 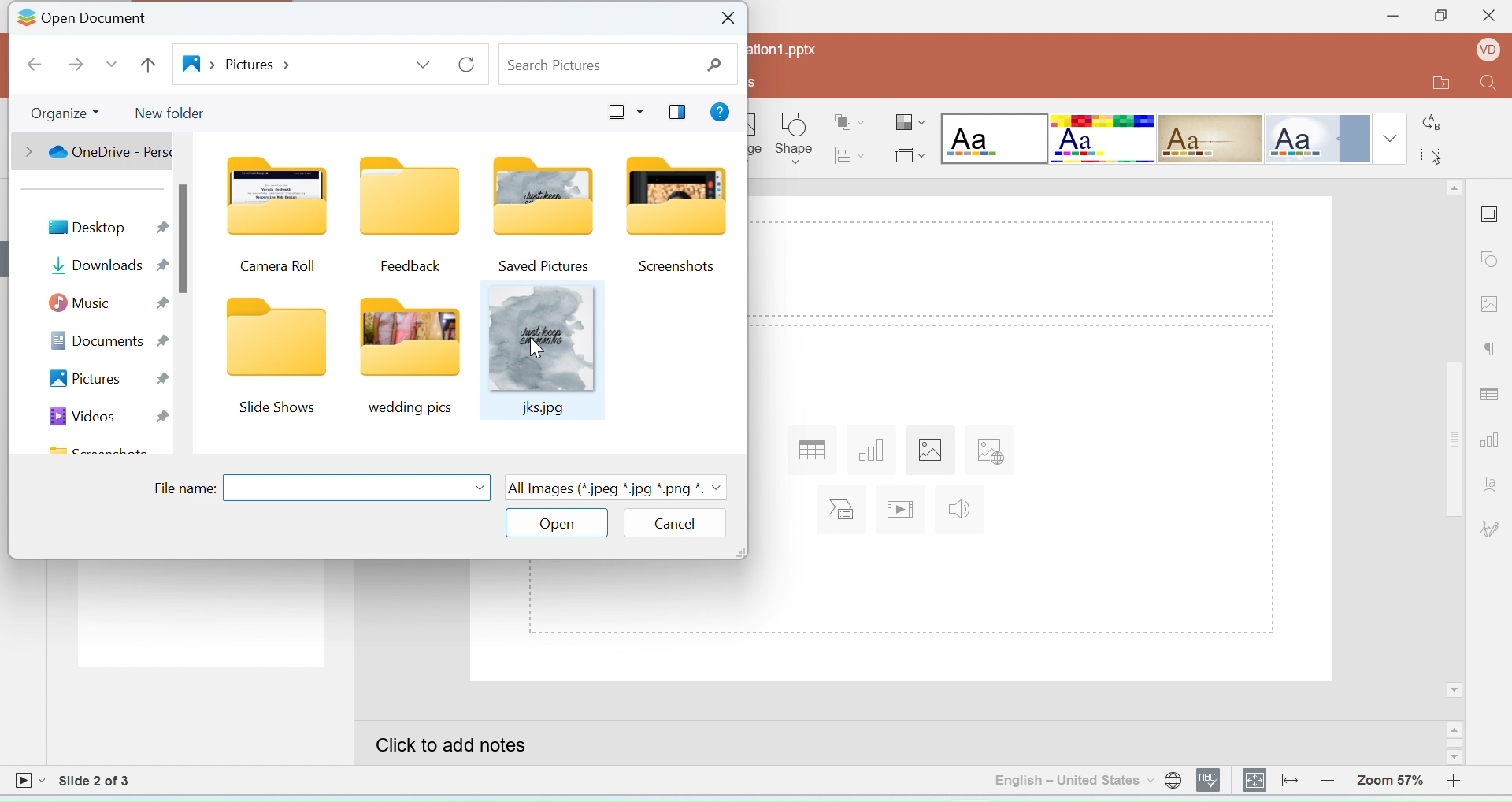 I want to click on Arrange shape, so click(x=851, y=117).